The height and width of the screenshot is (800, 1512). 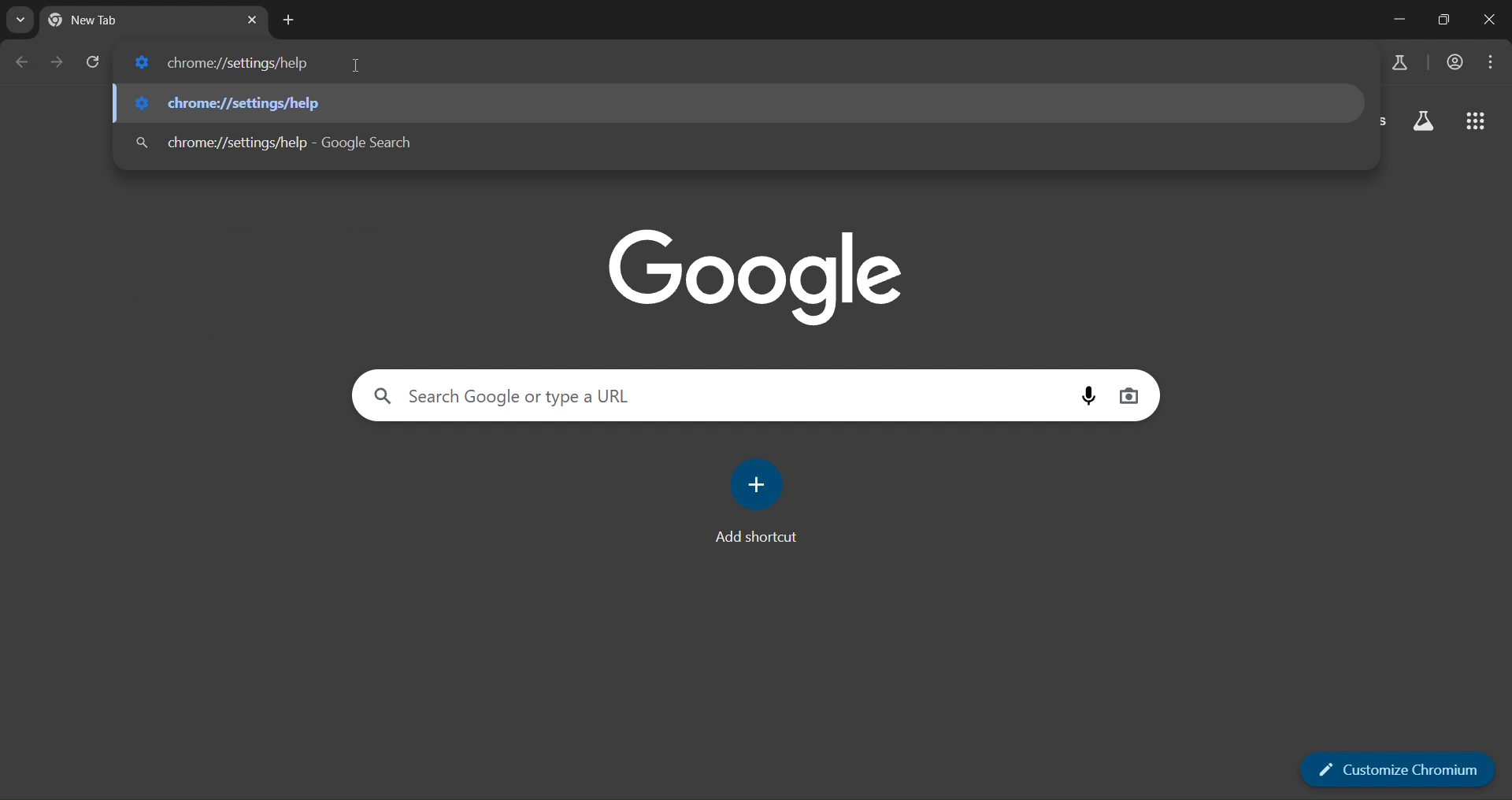 What do you see at coordinates (762, 499) in the screenshot?
I see `add shortcut` at bounding box center [762, 499].